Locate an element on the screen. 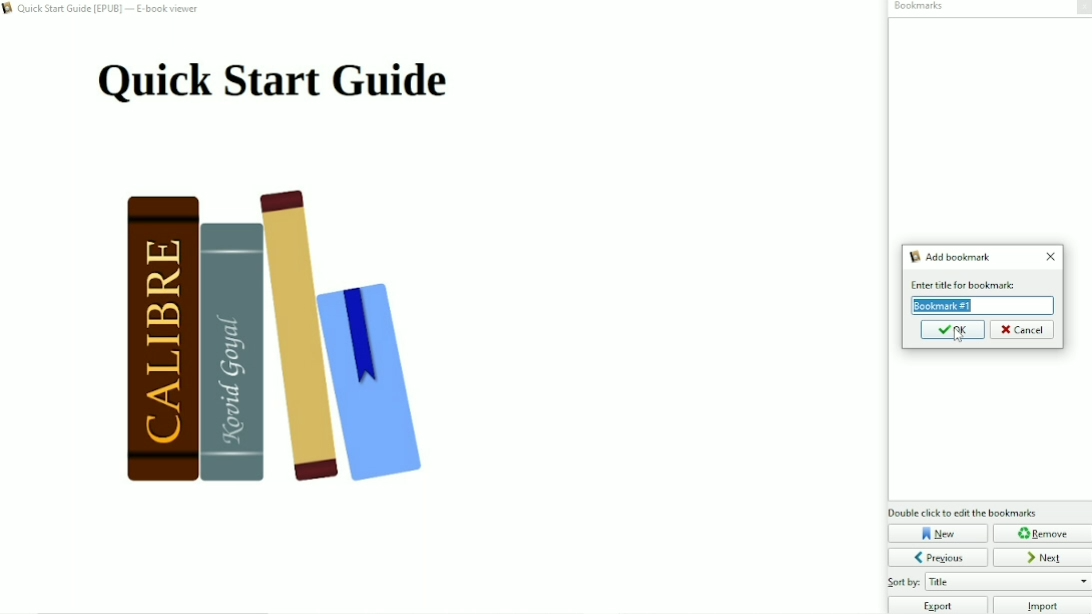  Double click to edit the bookmarks is located at coordinates (963, 512).